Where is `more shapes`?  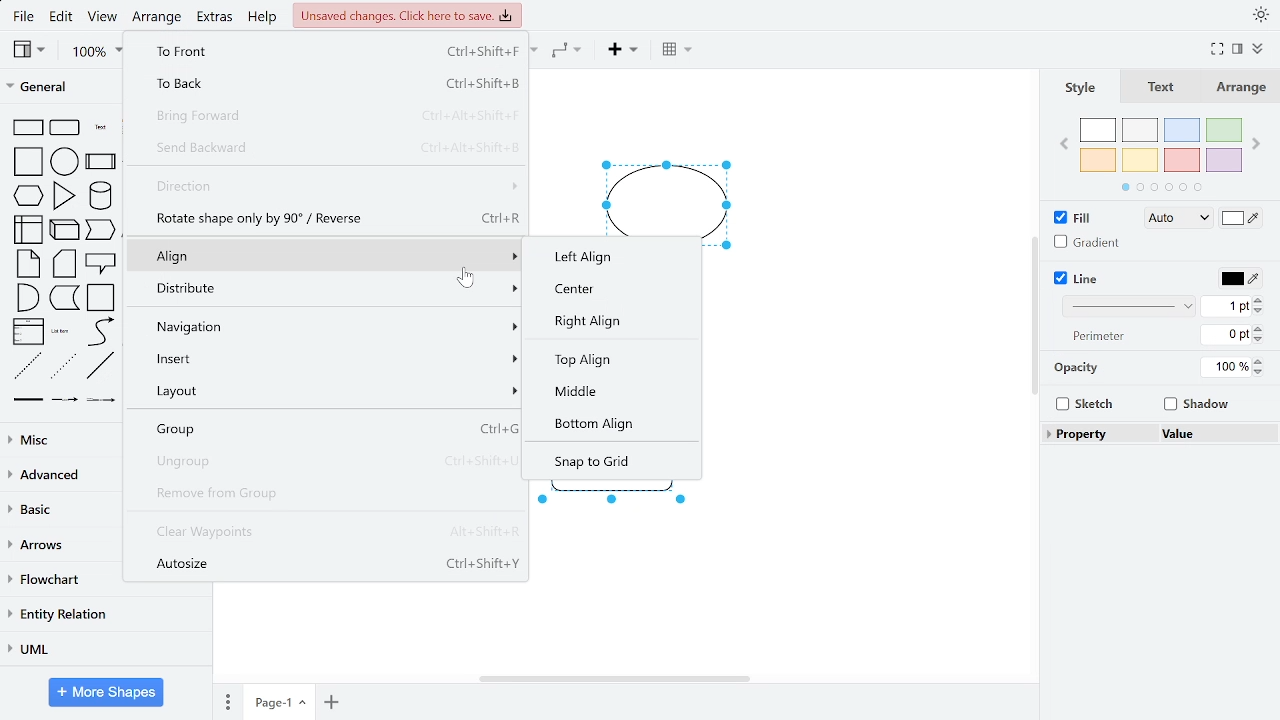
more shapes is located at coordinates (108, 692).